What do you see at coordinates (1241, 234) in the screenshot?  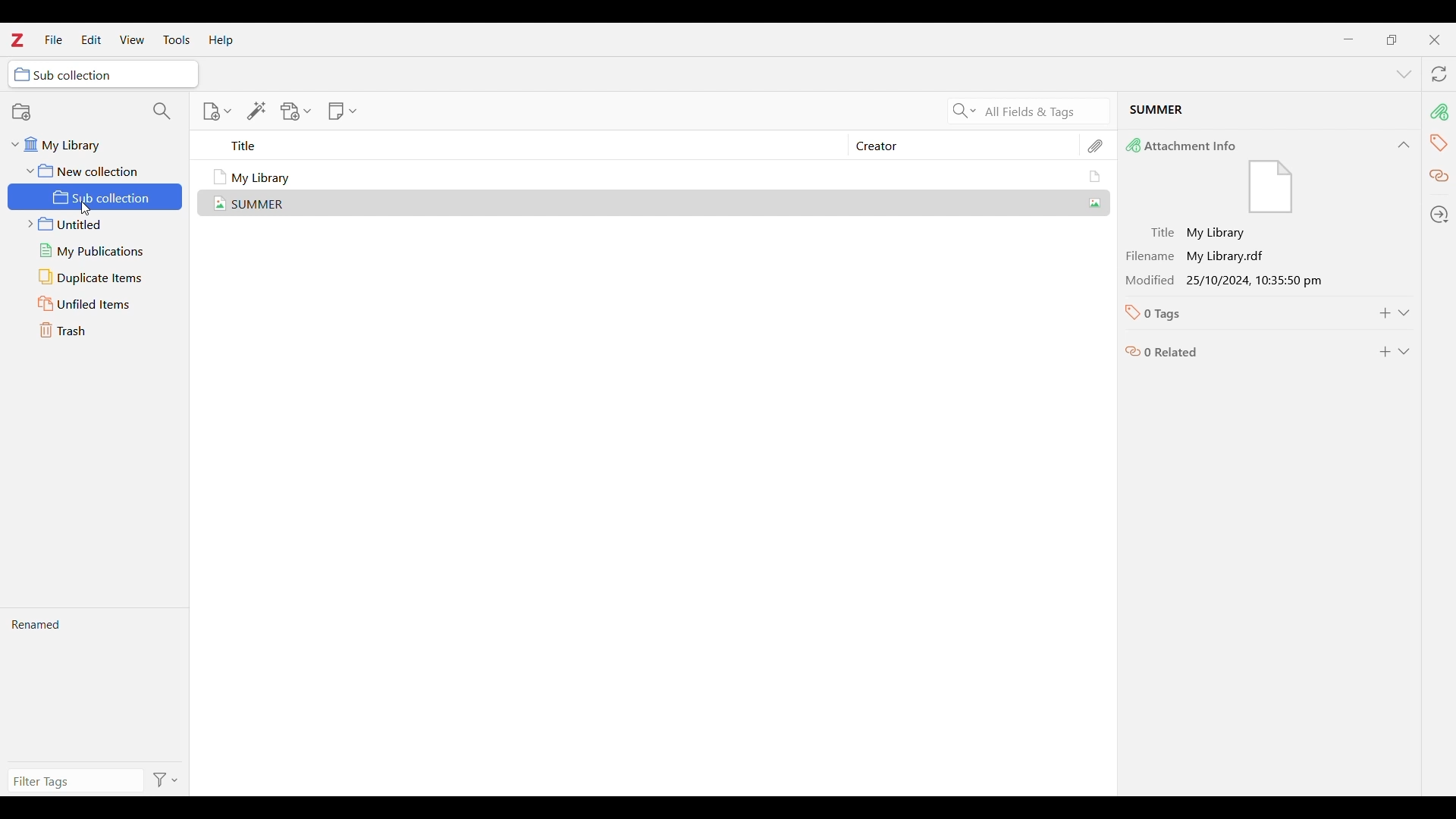 I see `Title: My Library` at bounding box center [1241, 234].